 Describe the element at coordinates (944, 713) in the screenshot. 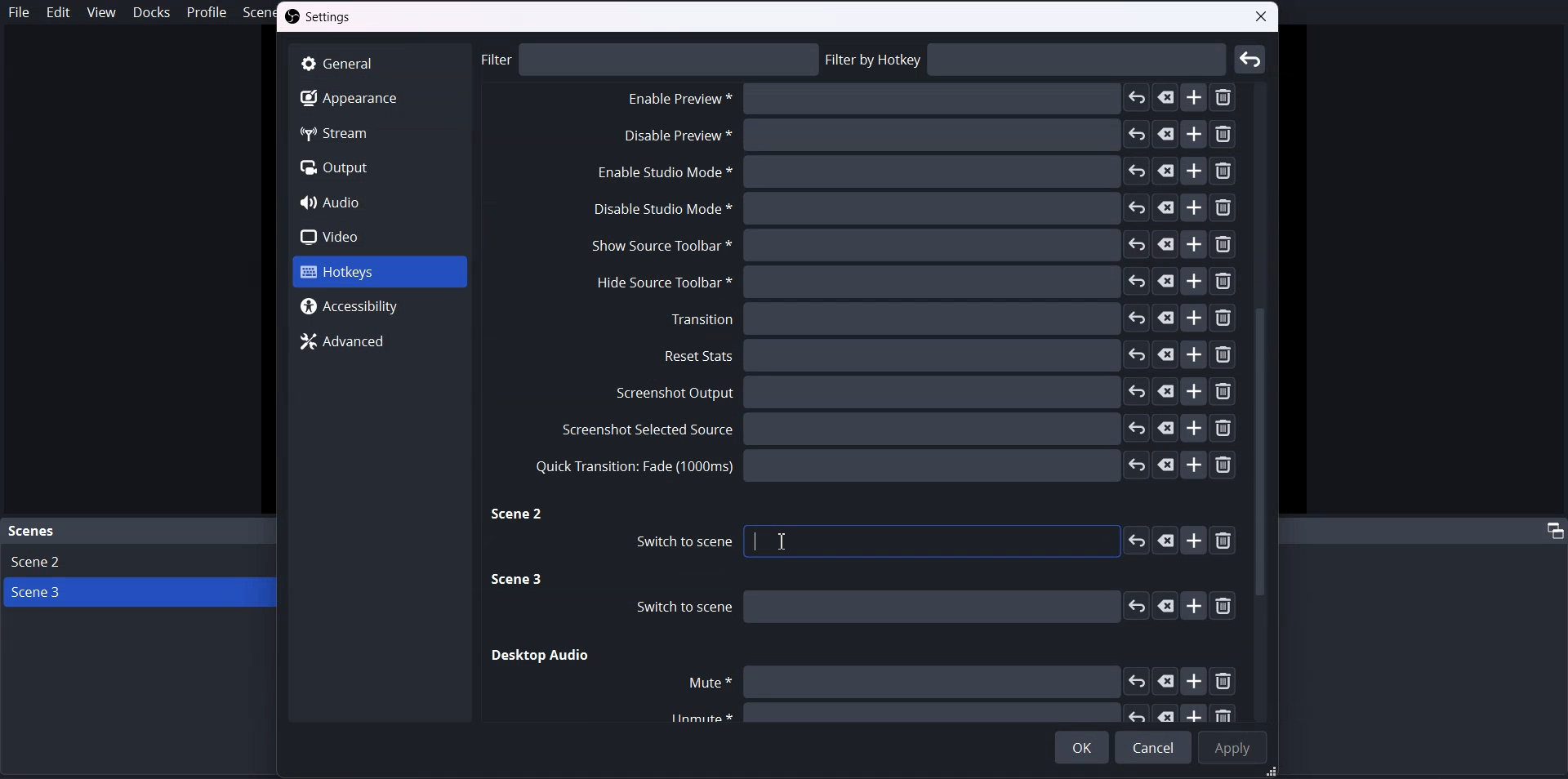

I see `Unmute` at that location.